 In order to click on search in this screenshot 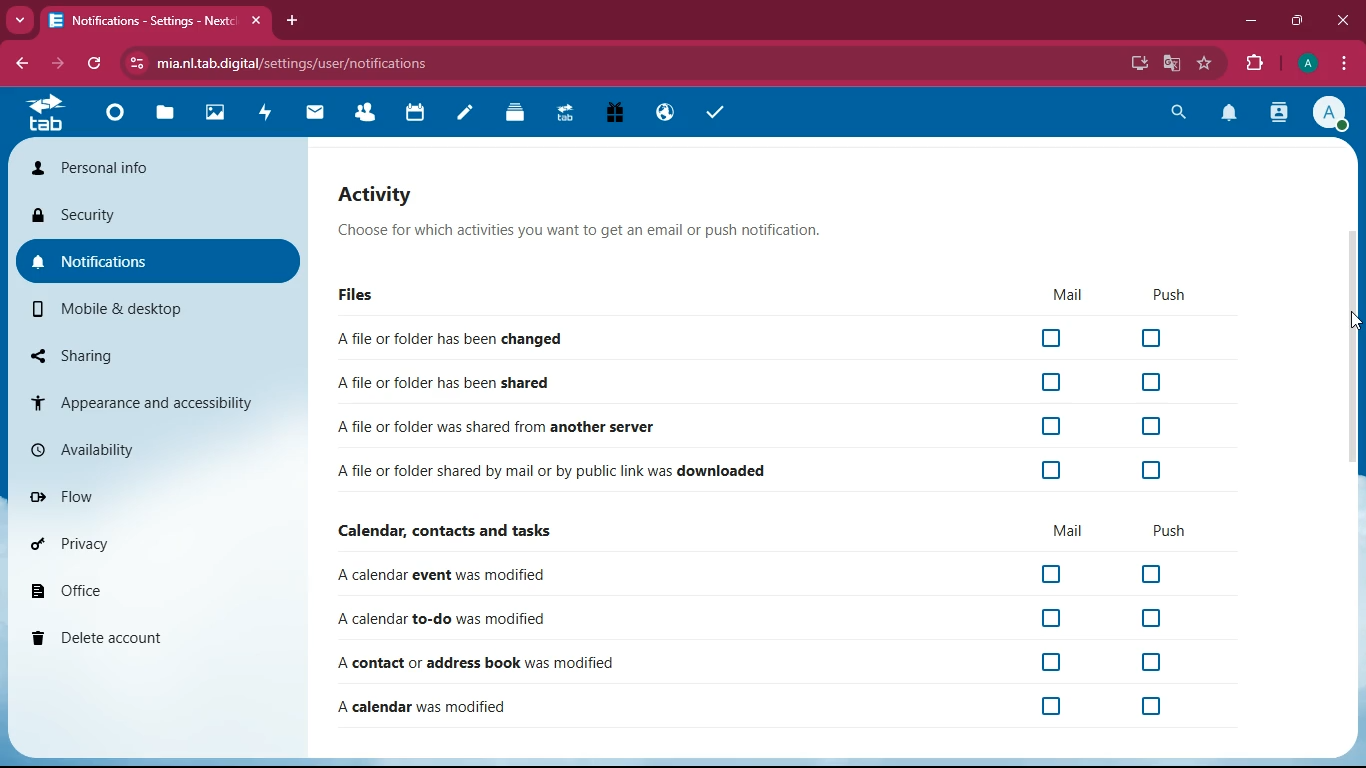, I will do `click(1177, 114)`.